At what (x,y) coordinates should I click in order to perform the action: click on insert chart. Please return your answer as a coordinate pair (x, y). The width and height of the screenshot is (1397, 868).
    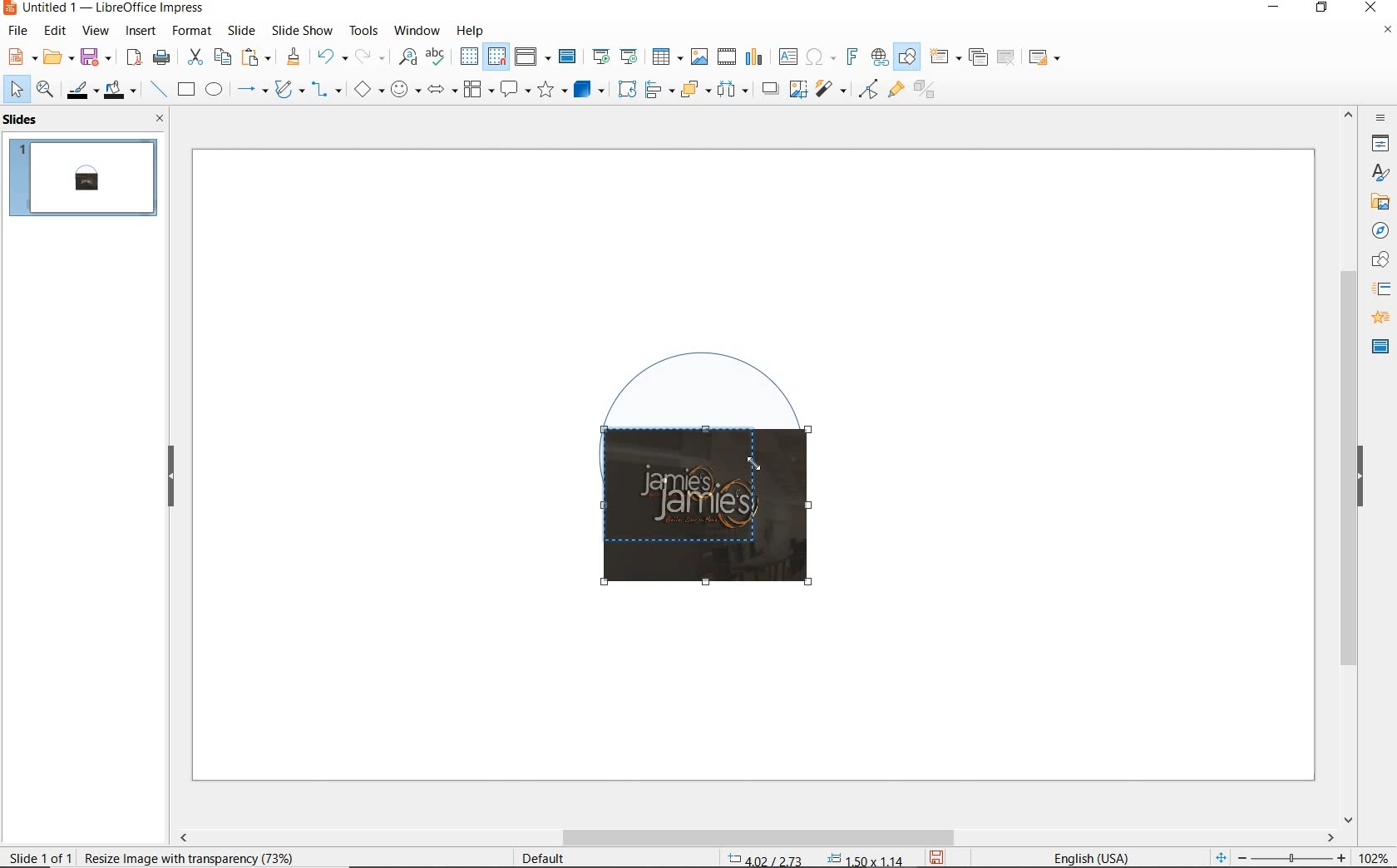
    Looking at the image, I should click on (754, 57).